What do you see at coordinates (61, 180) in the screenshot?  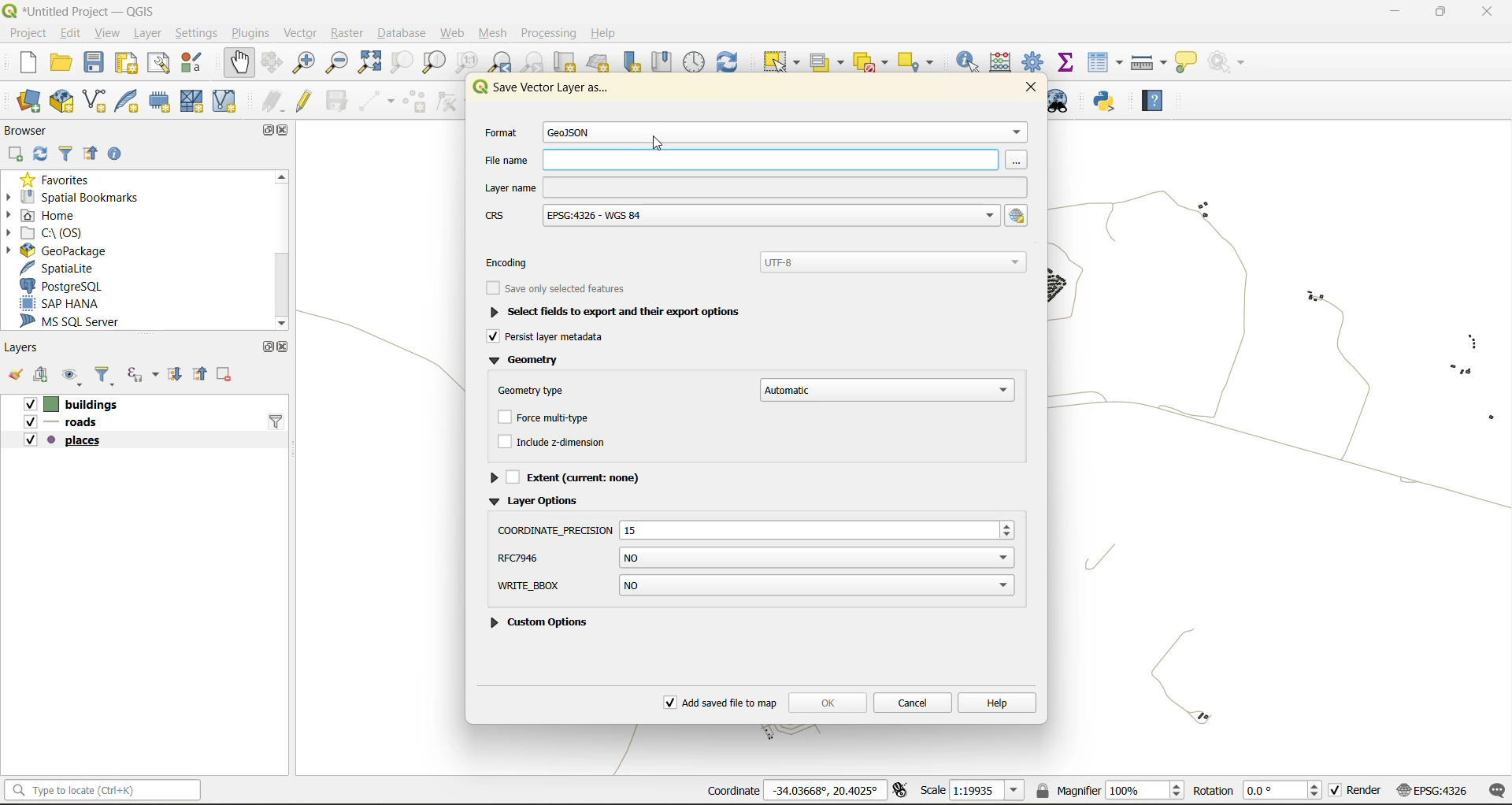 I see `favorites` at bounding box center [61, 180].